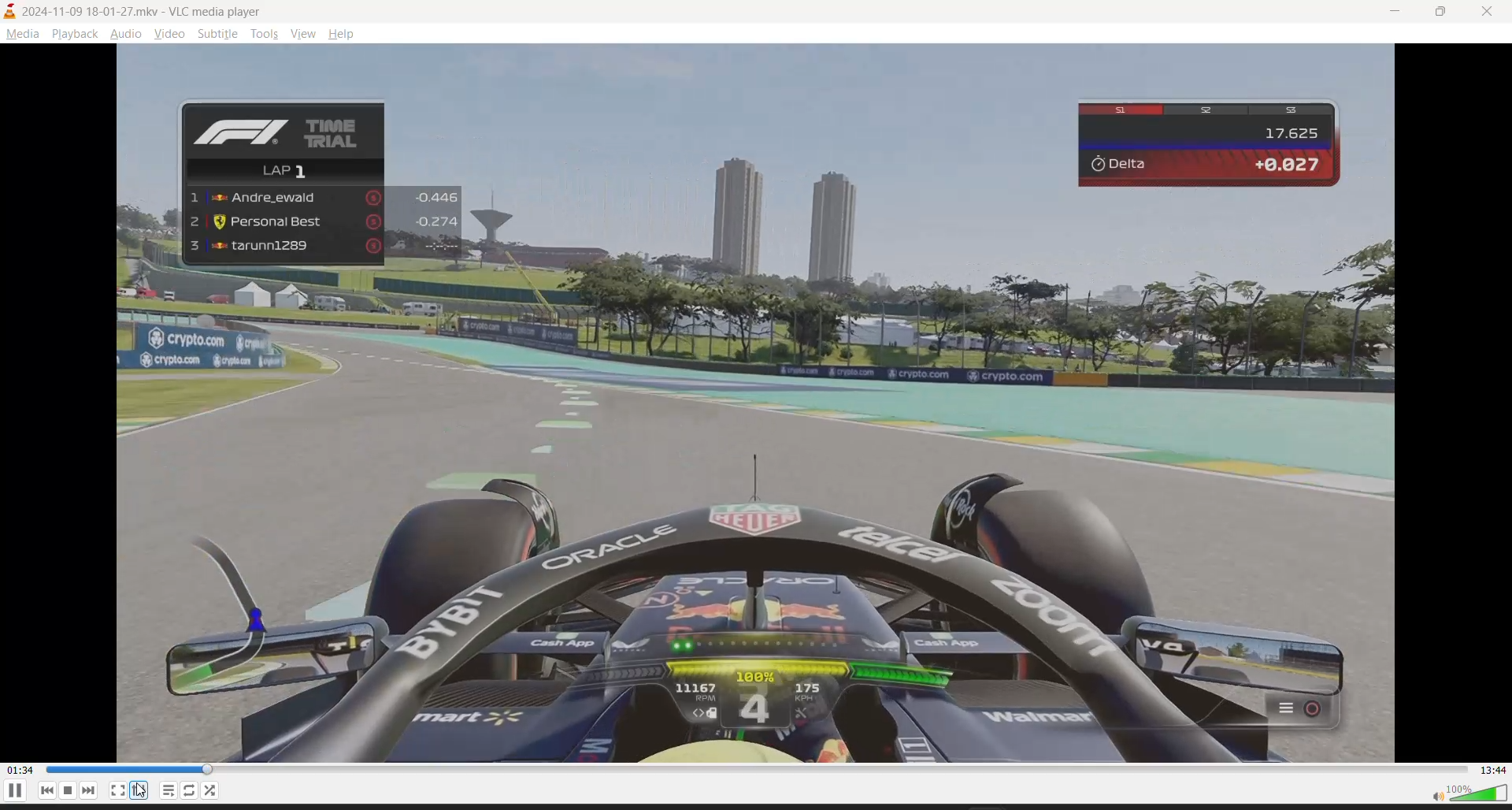 The image size is (1512, 810). What do you see at coordinates (344, 33) in the screenshot?
I see `help` at bounding box center [344, 33].